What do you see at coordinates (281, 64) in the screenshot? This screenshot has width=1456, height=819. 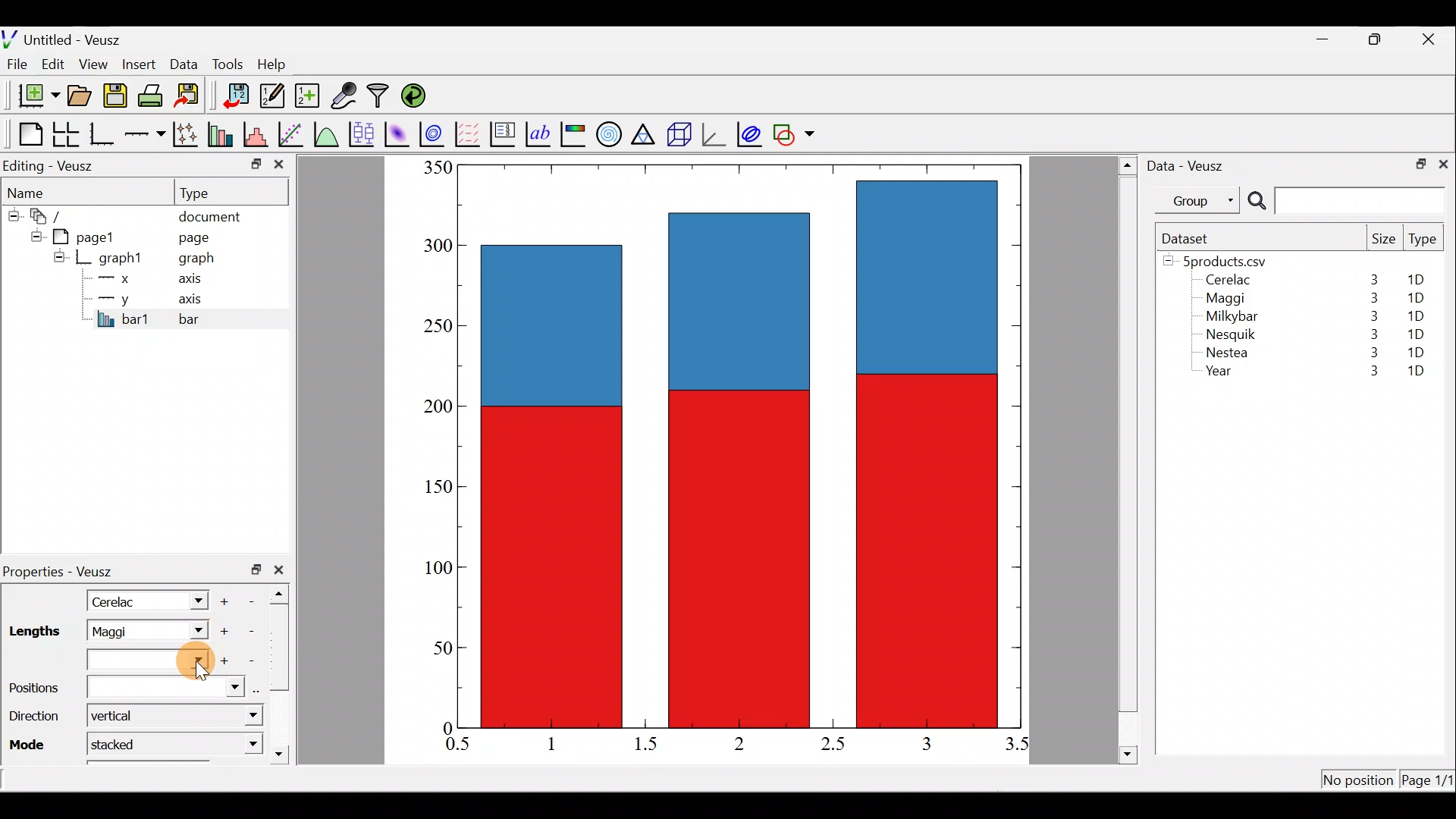 I see `Help` at bounding box center [281, 64].